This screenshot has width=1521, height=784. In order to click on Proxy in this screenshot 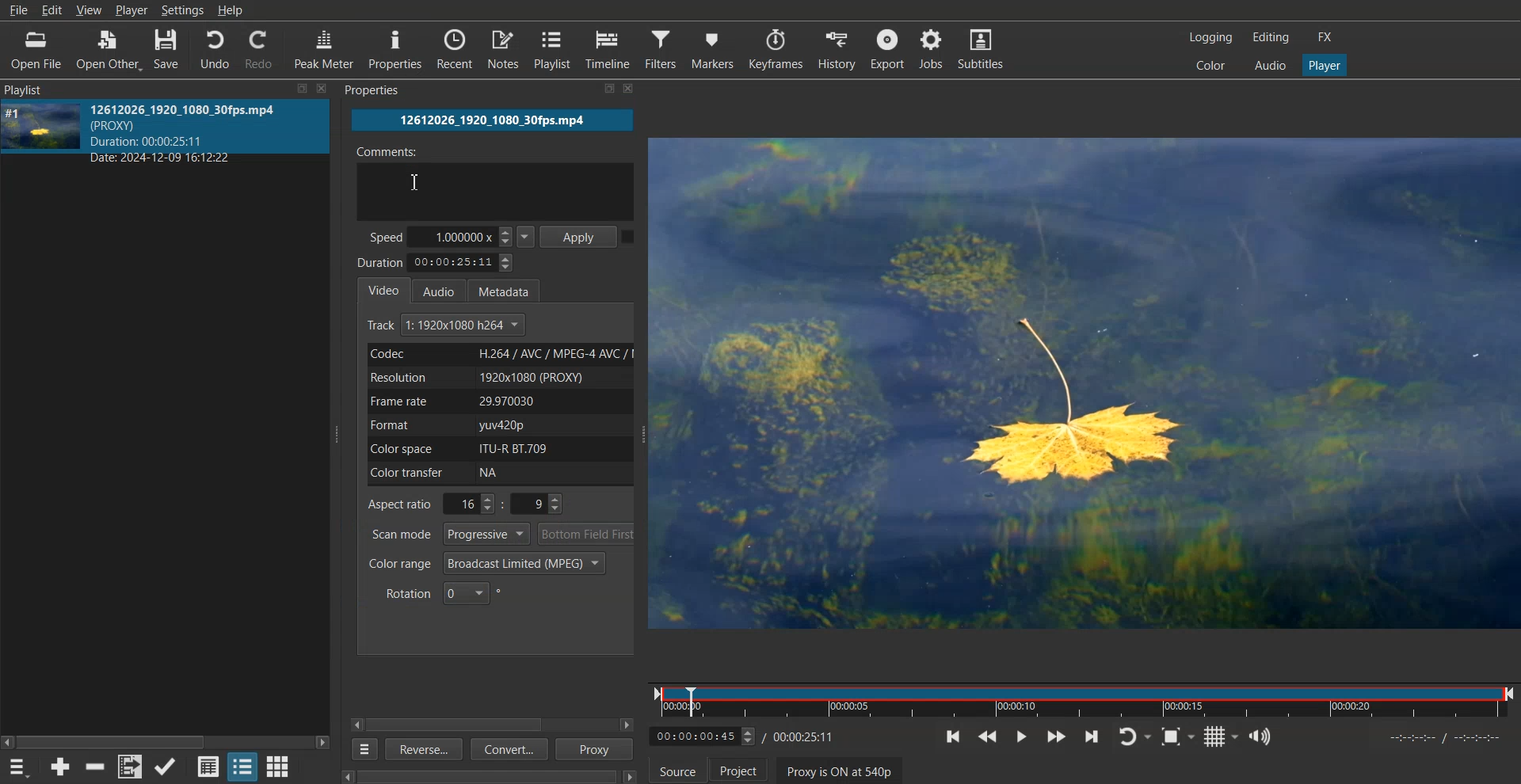, I will do `click(596, 749)`.